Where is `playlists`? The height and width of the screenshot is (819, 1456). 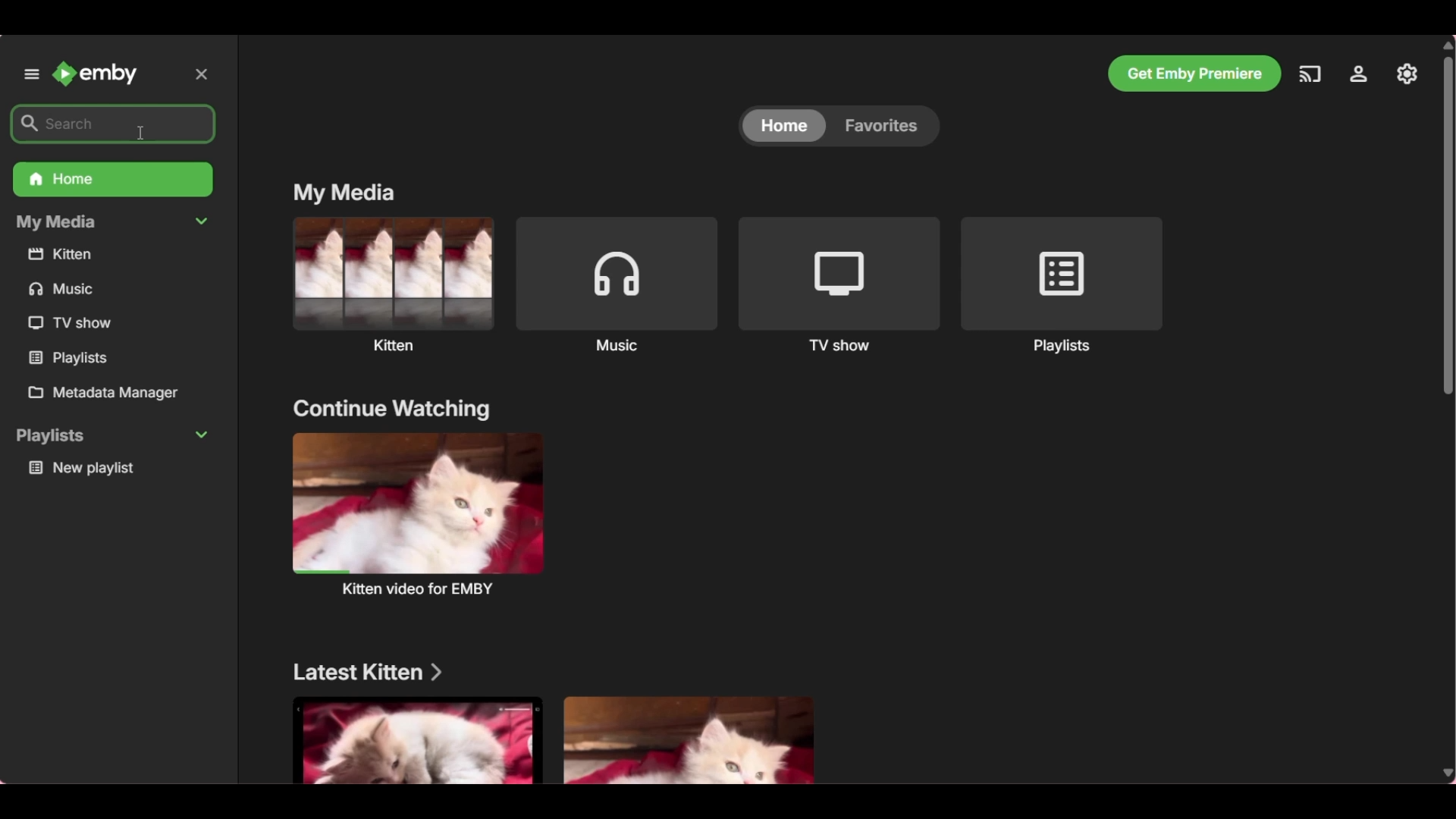
playlists is located at coordinates (111, 436).